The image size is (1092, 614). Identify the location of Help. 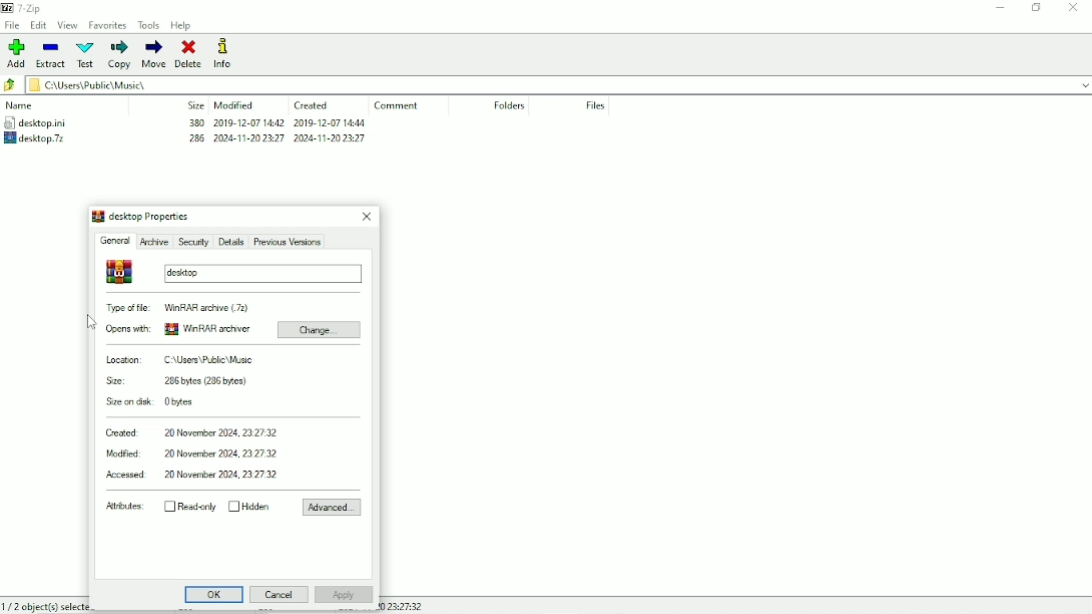
(183, 25).